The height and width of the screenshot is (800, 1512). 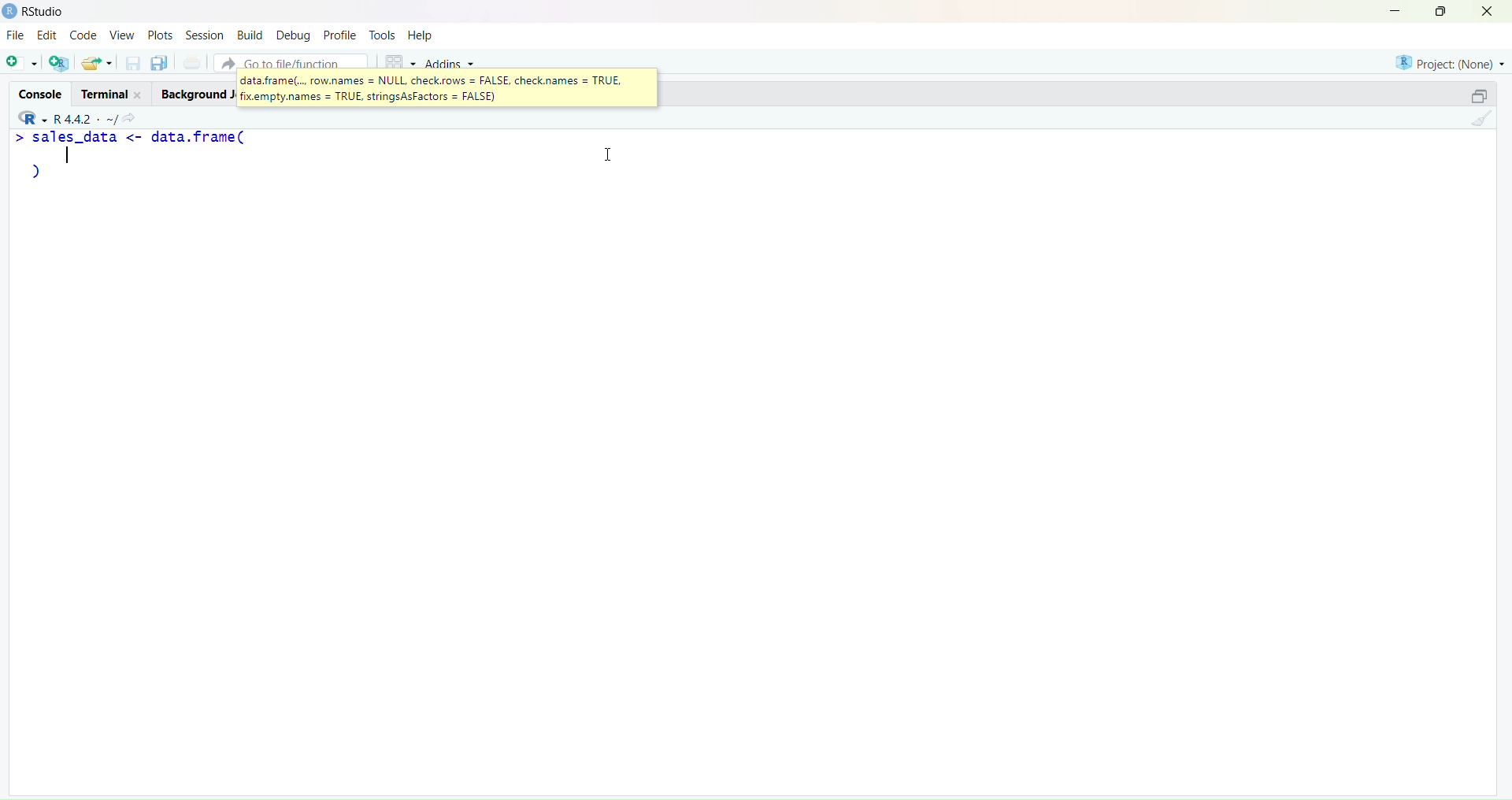 I want to click on Code, so click(x=84, y=35).